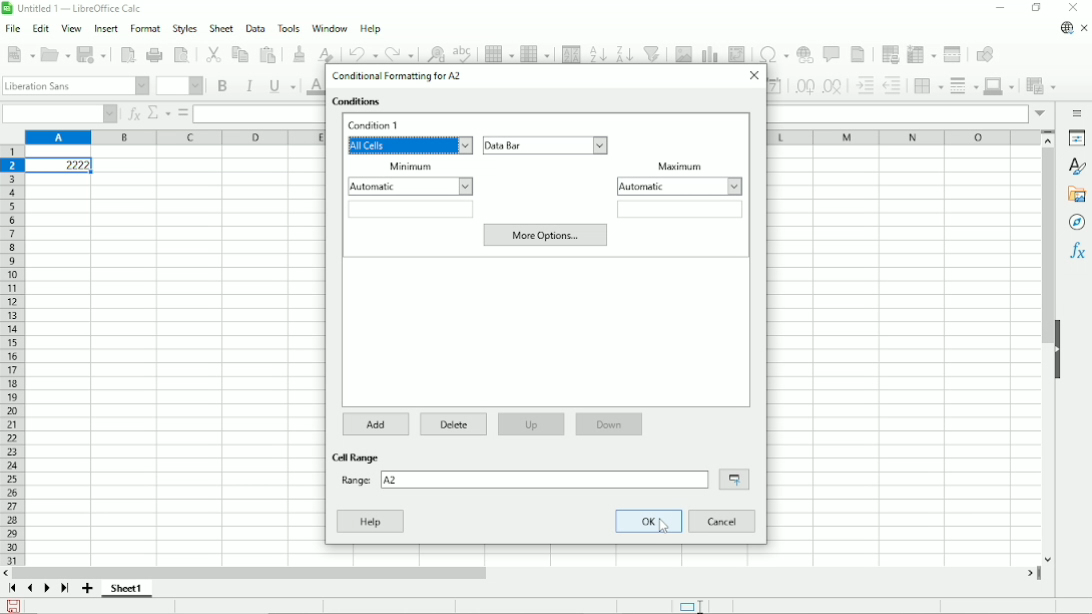  I want to click on Standard selection, so click(690, 605).